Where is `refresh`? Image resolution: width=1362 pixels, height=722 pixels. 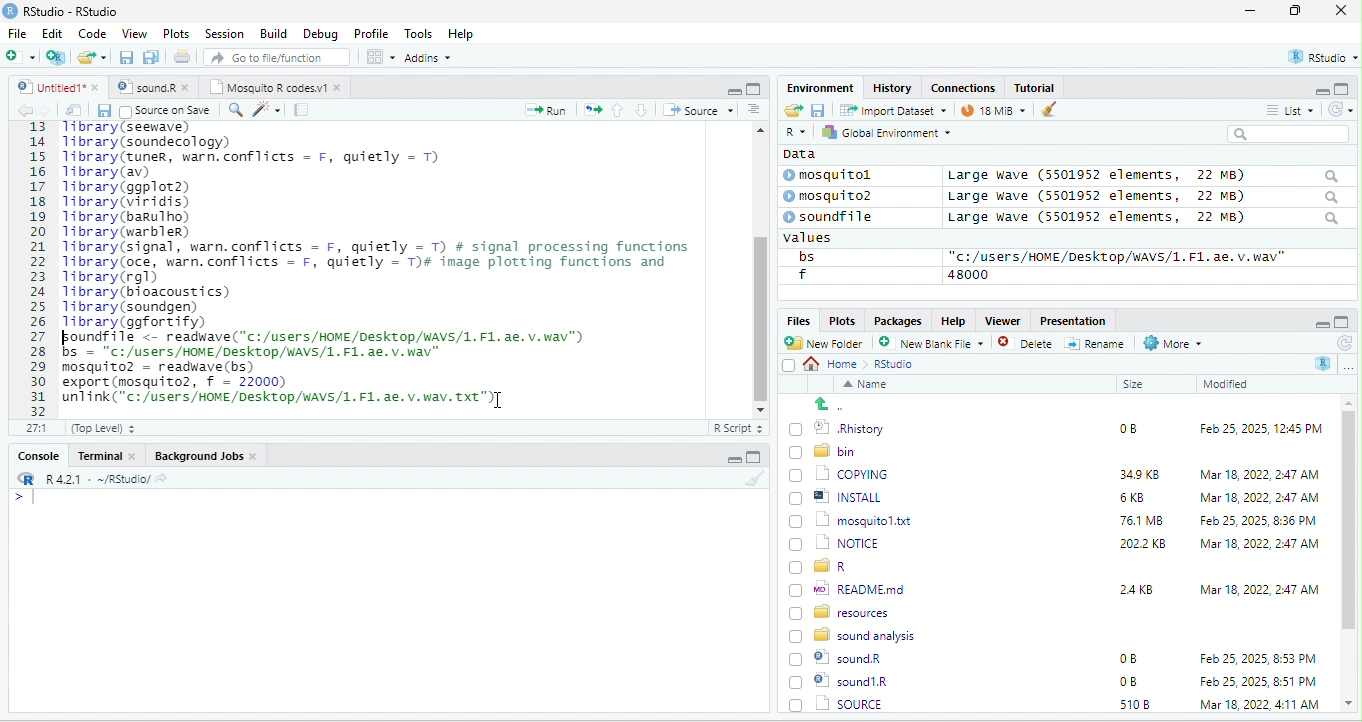
refresh is located at coordinates (1343, 343).